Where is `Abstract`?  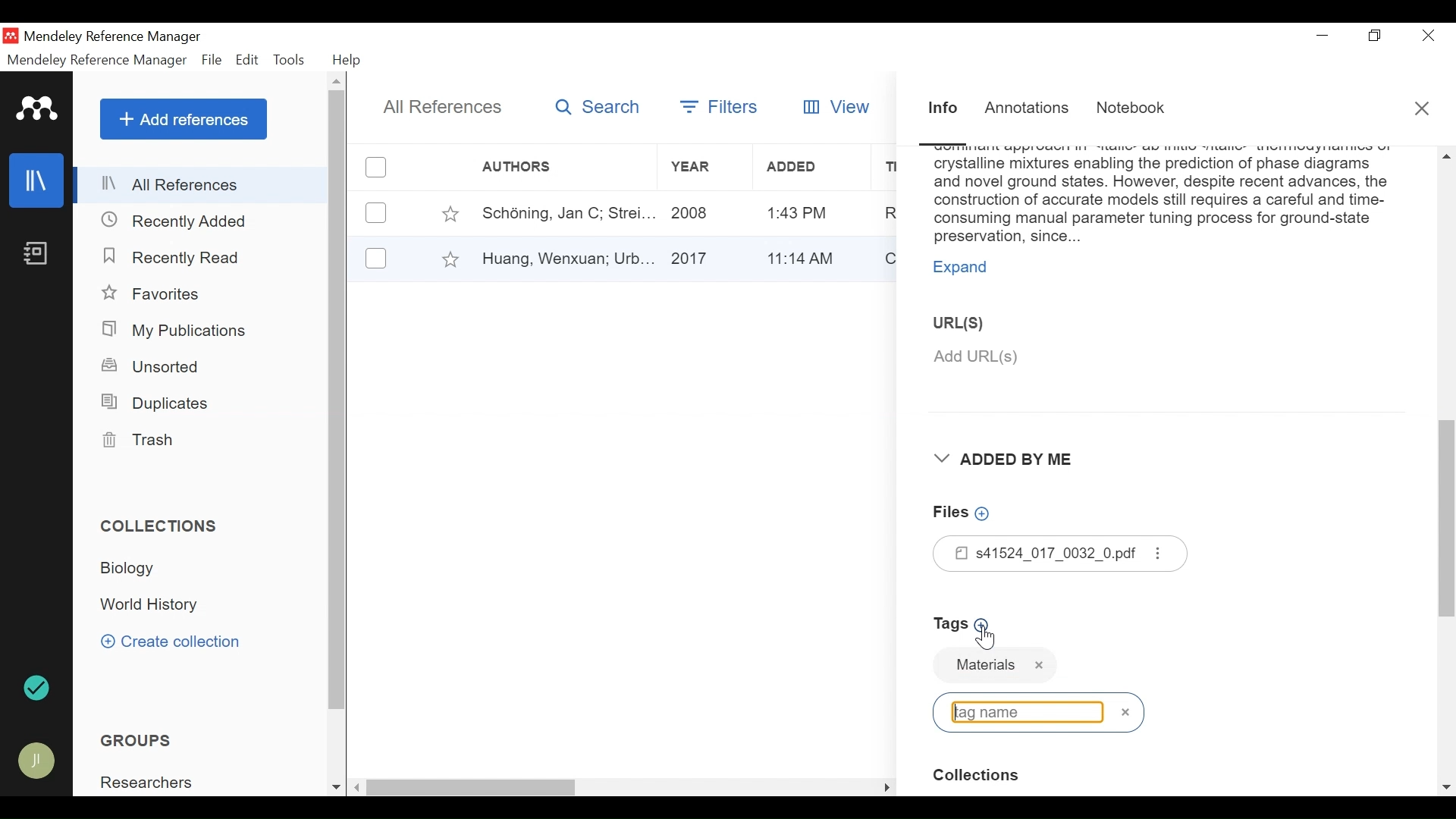 Abstract is located at coordinates (1162, 197).